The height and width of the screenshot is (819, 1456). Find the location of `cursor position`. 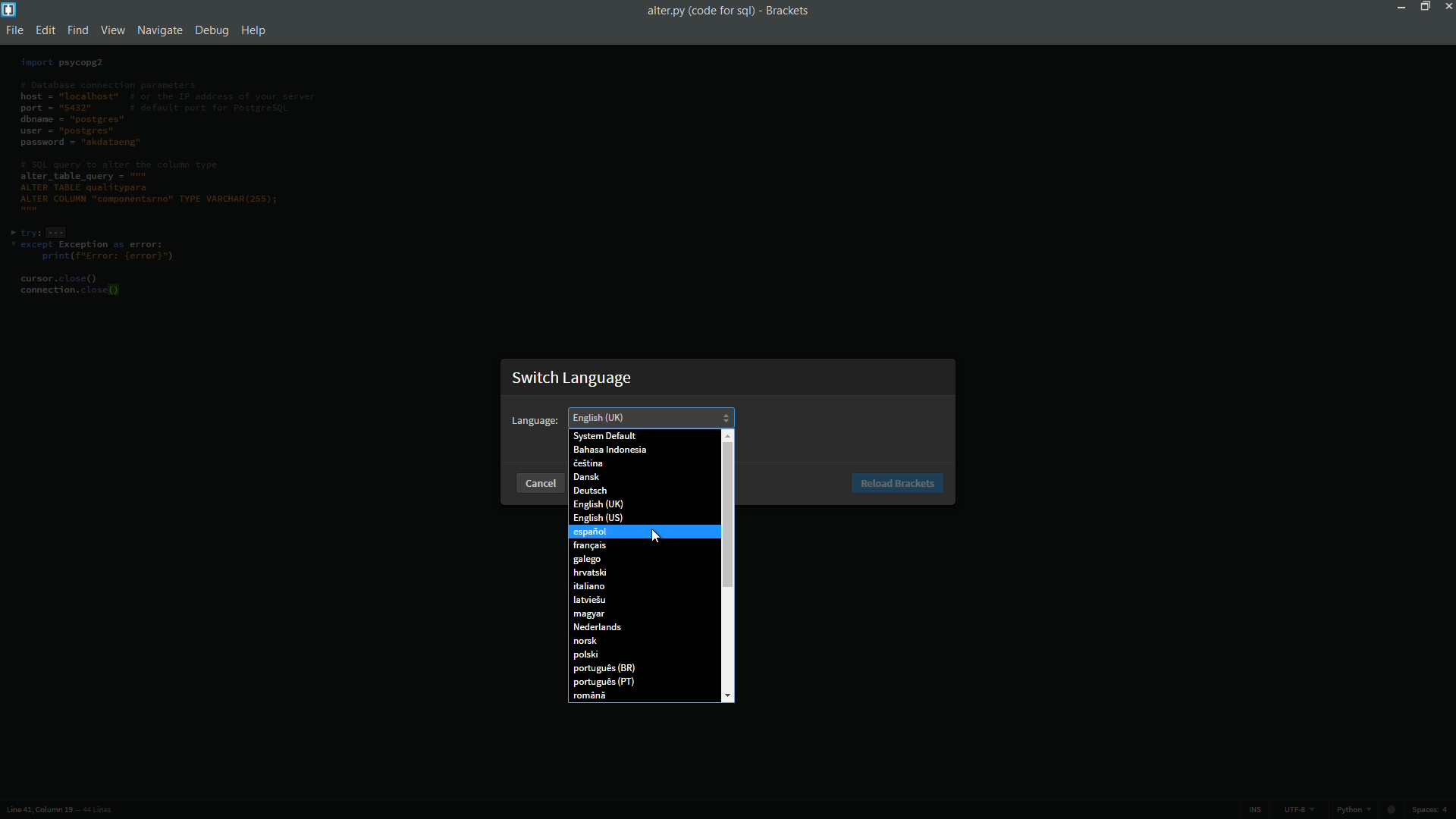

cursor position is located at coordinates (36, 810).